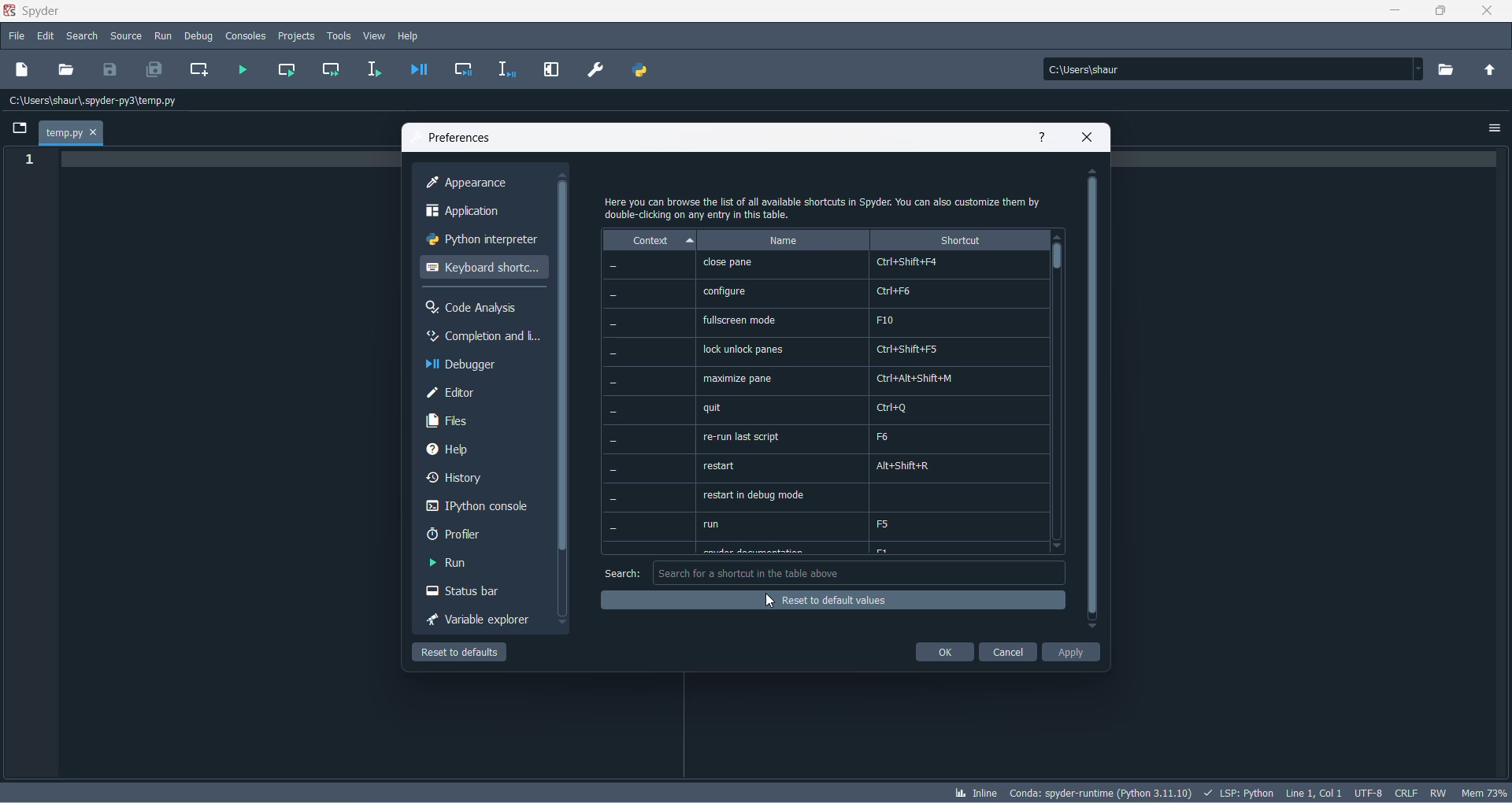 Image resolution: width=1512 pixels, height=803 pixels. What do you see at coordinates (157, 72) in the screenshot?
I see `save all` at bounding box center [157, 72].